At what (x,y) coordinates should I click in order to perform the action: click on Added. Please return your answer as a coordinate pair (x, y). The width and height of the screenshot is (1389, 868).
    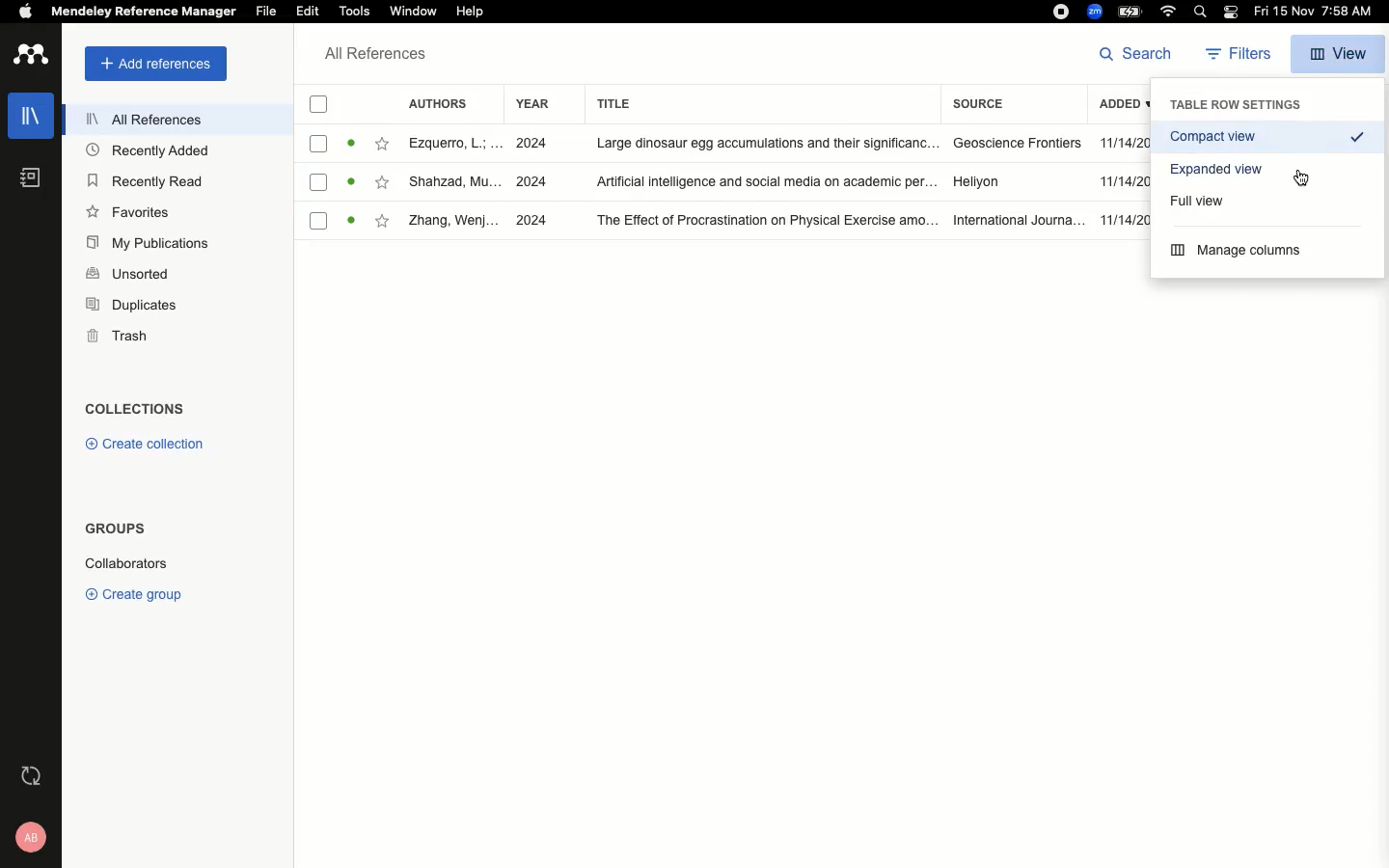
    Looking at the image, I should click on (1121, 107).